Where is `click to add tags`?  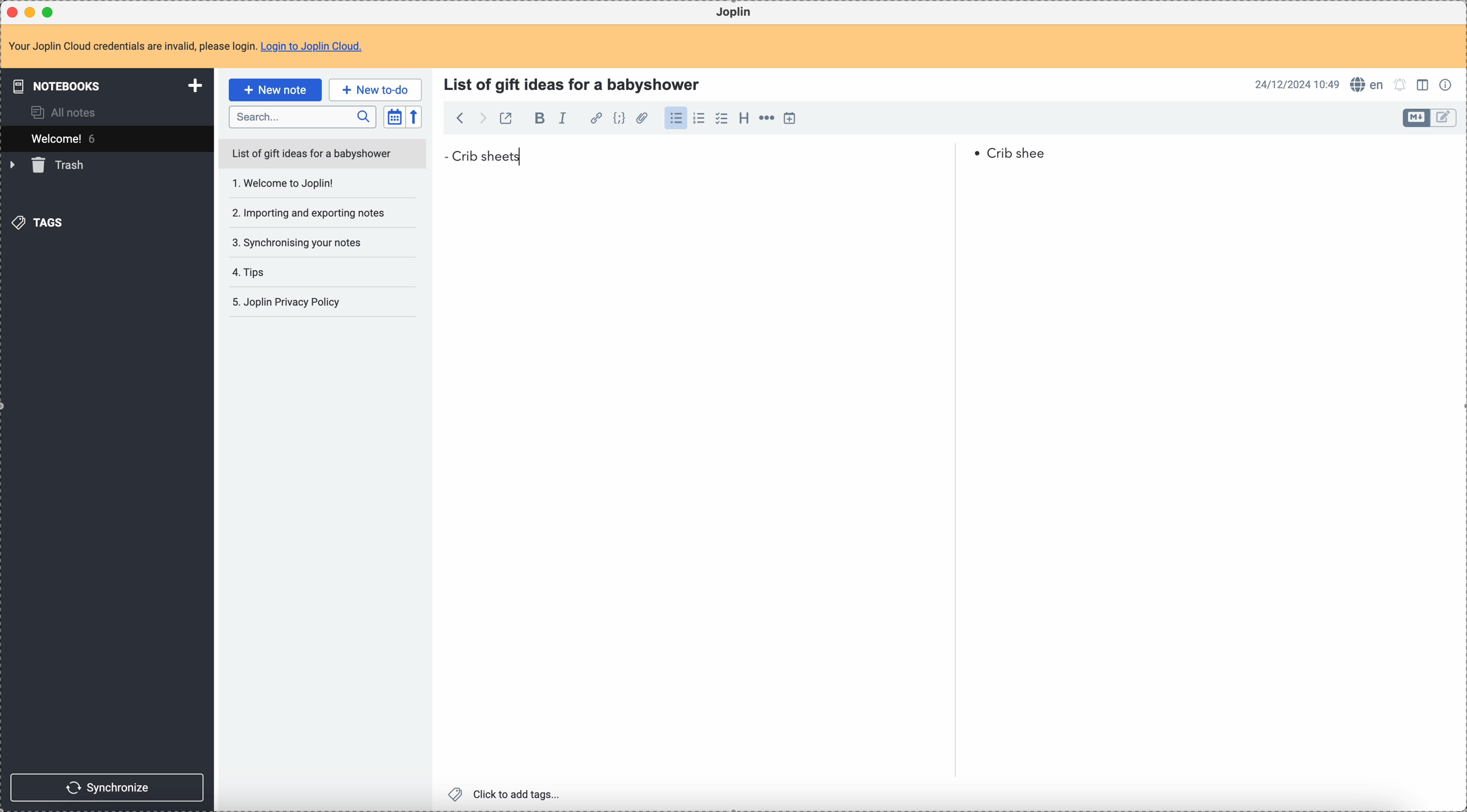 click to add tags is located at coordinates (505, 794).